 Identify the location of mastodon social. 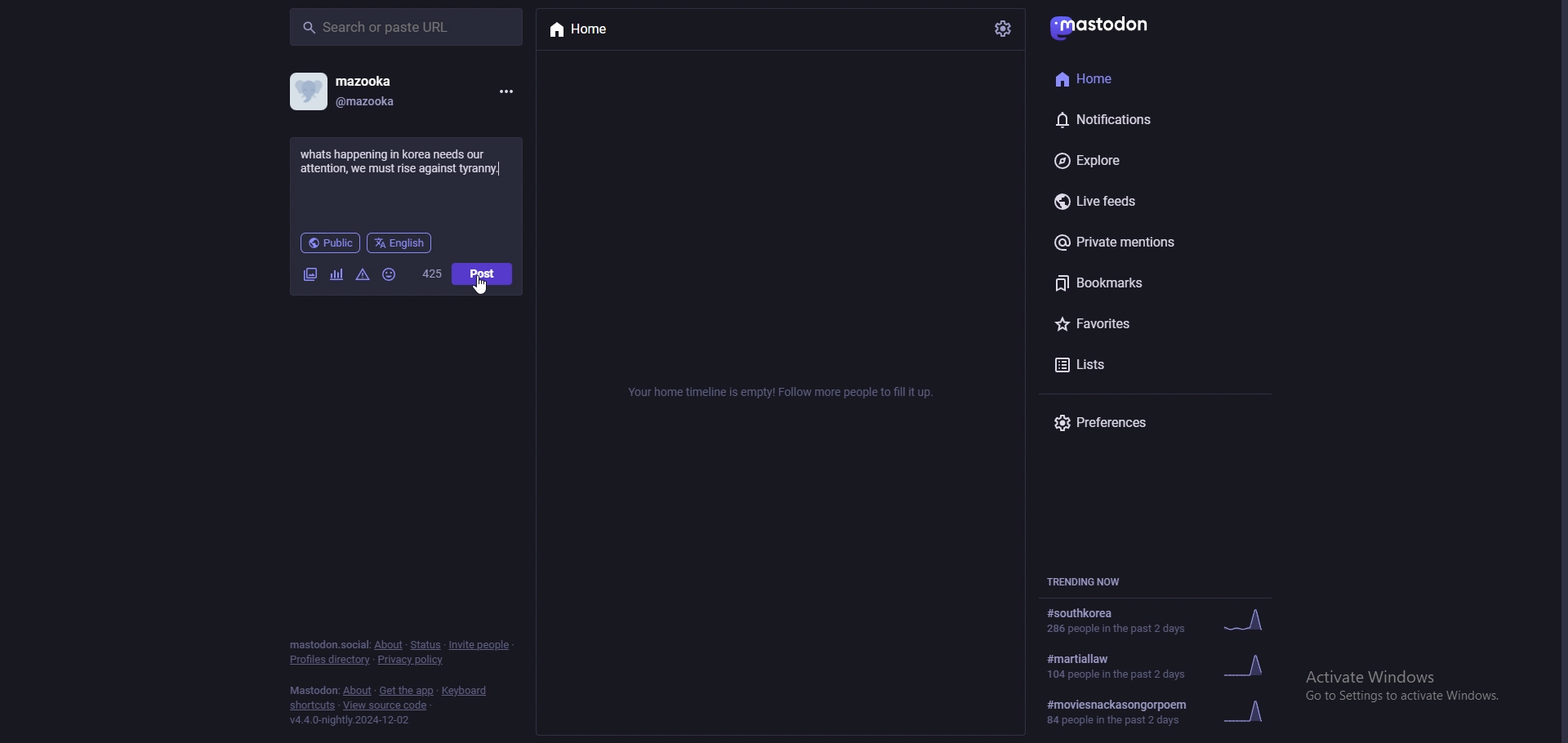
(326, 644).